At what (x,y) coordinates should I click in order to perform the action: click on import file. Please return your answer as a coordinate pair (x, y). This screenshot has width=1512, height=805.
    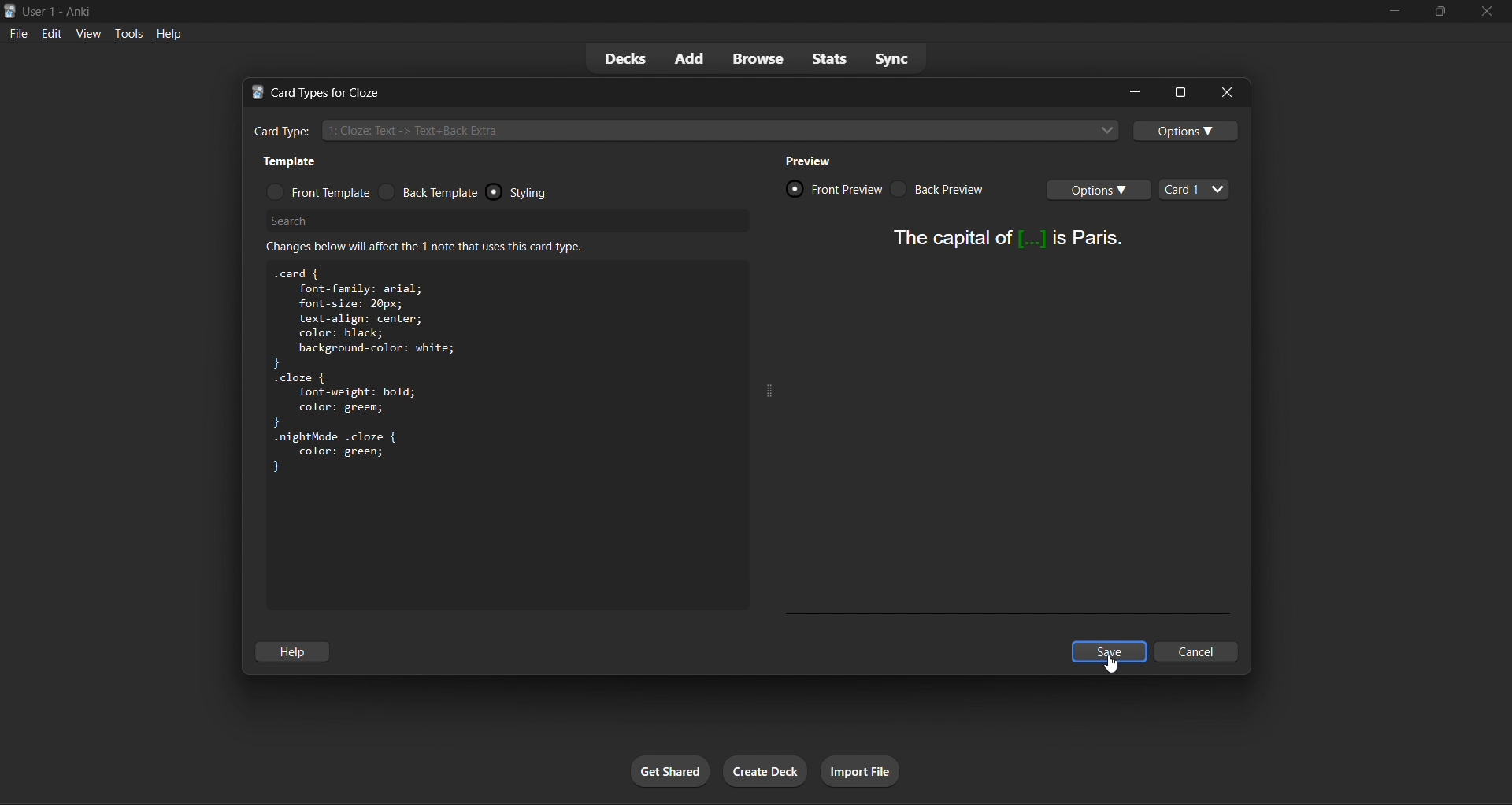
    Looking at the image, I should click on (862, 768).